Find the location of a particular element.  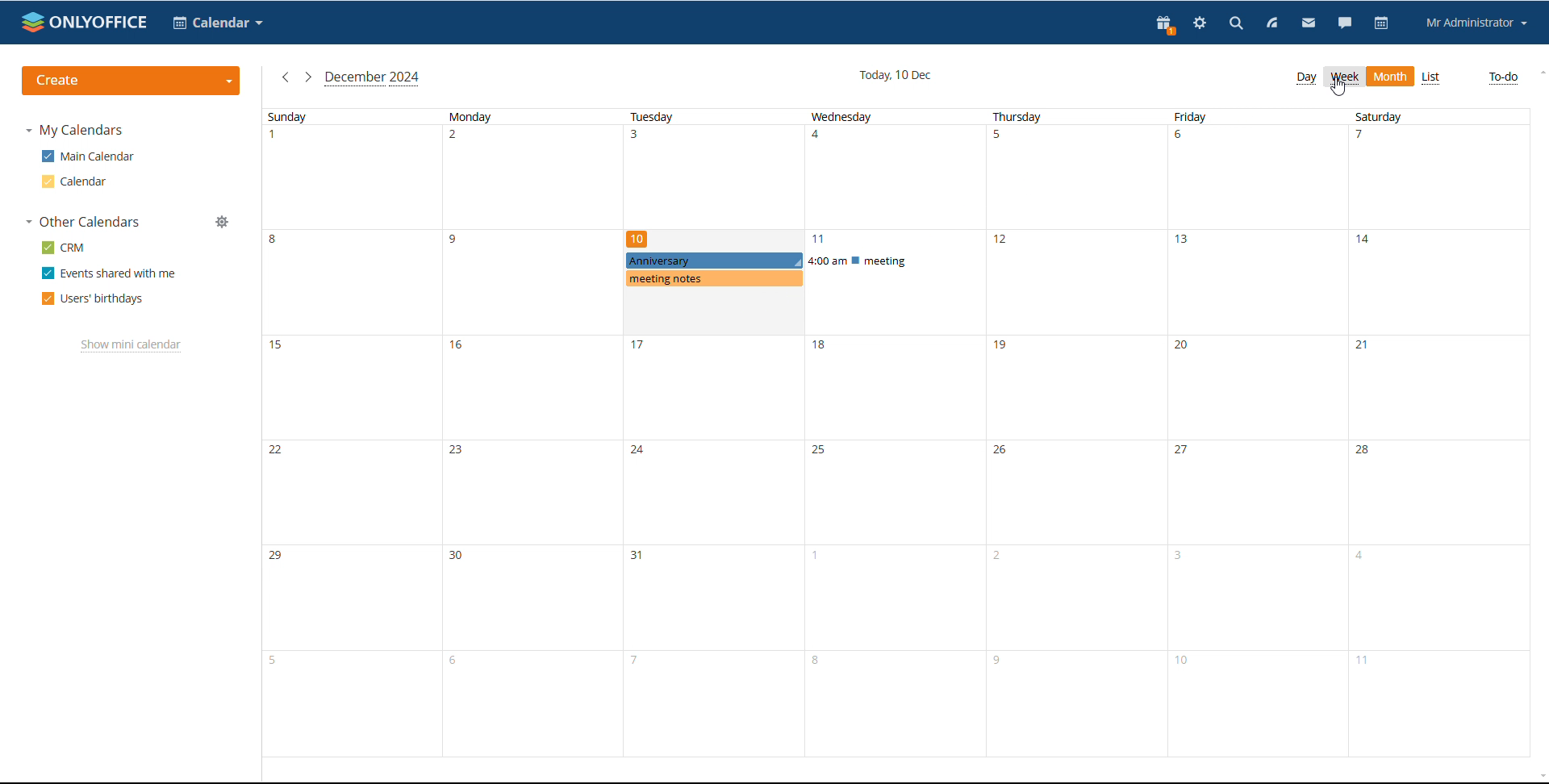

mail is located at coordinates (1308, 23).